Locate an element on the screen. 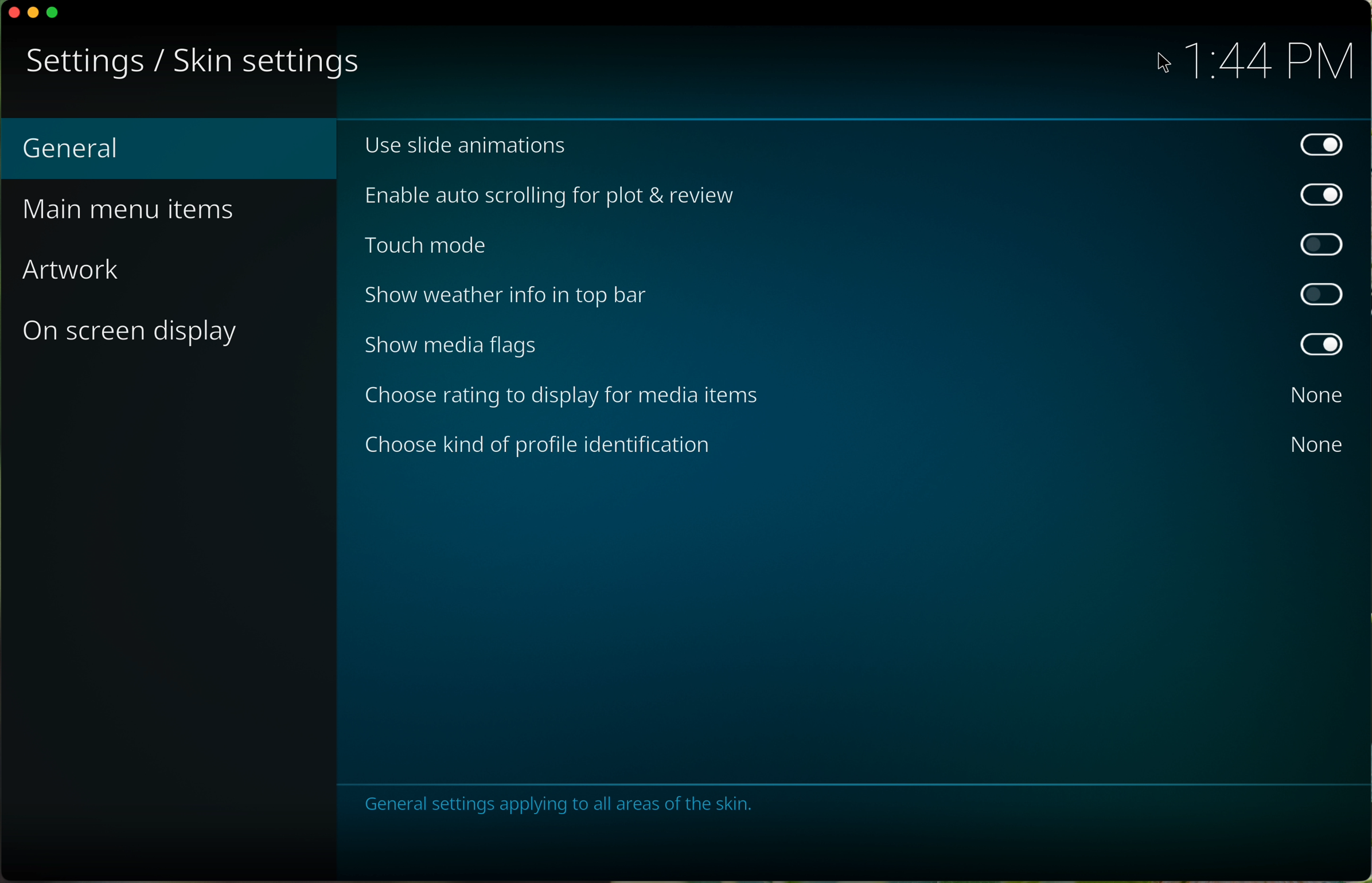 Image resolution: width=1372 pixels, height=883 pixels. maximize is located at coordinates (57, 11).